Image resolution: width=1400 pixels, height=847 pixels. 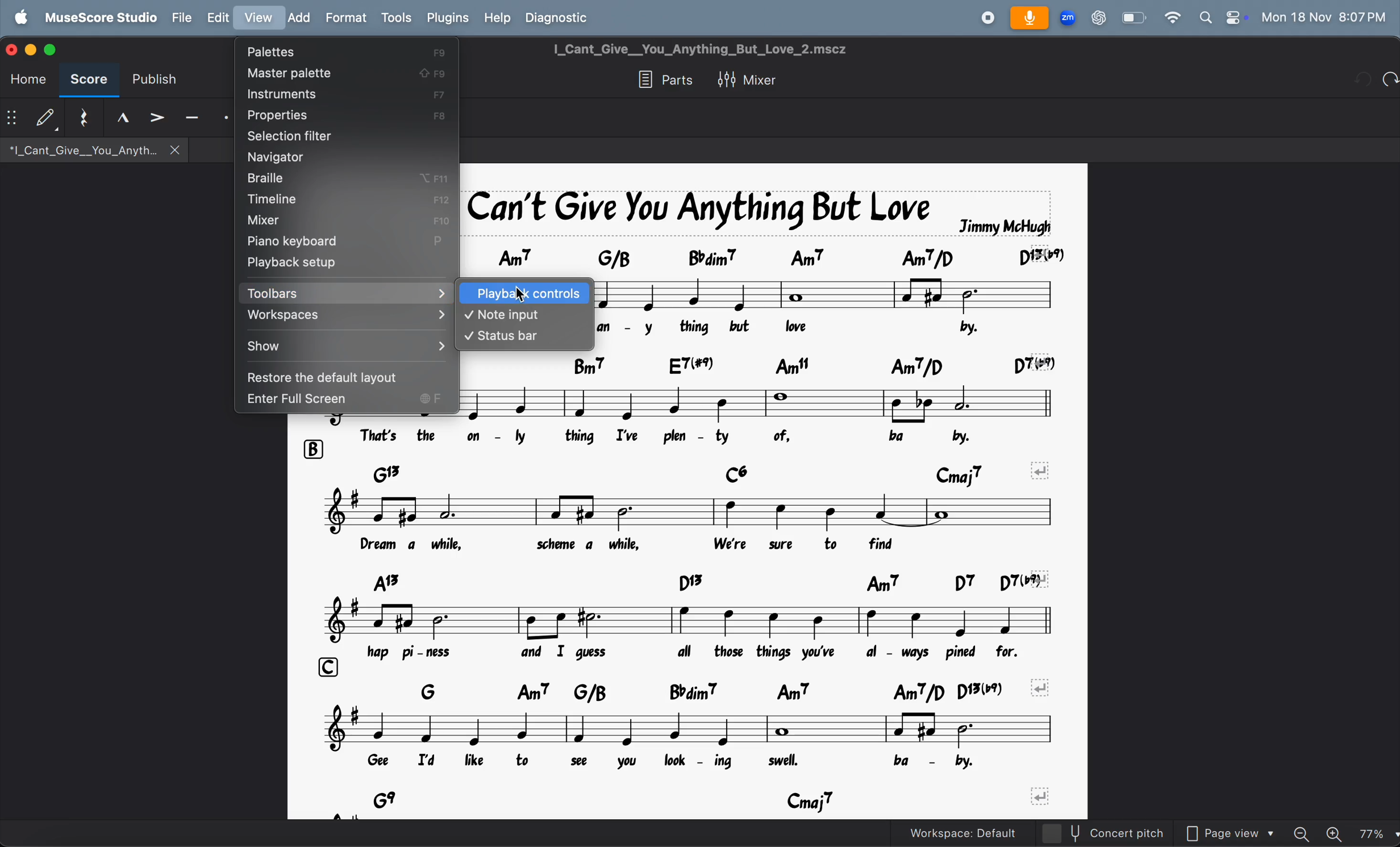 I want to click on help, so click(x=499, y=19).